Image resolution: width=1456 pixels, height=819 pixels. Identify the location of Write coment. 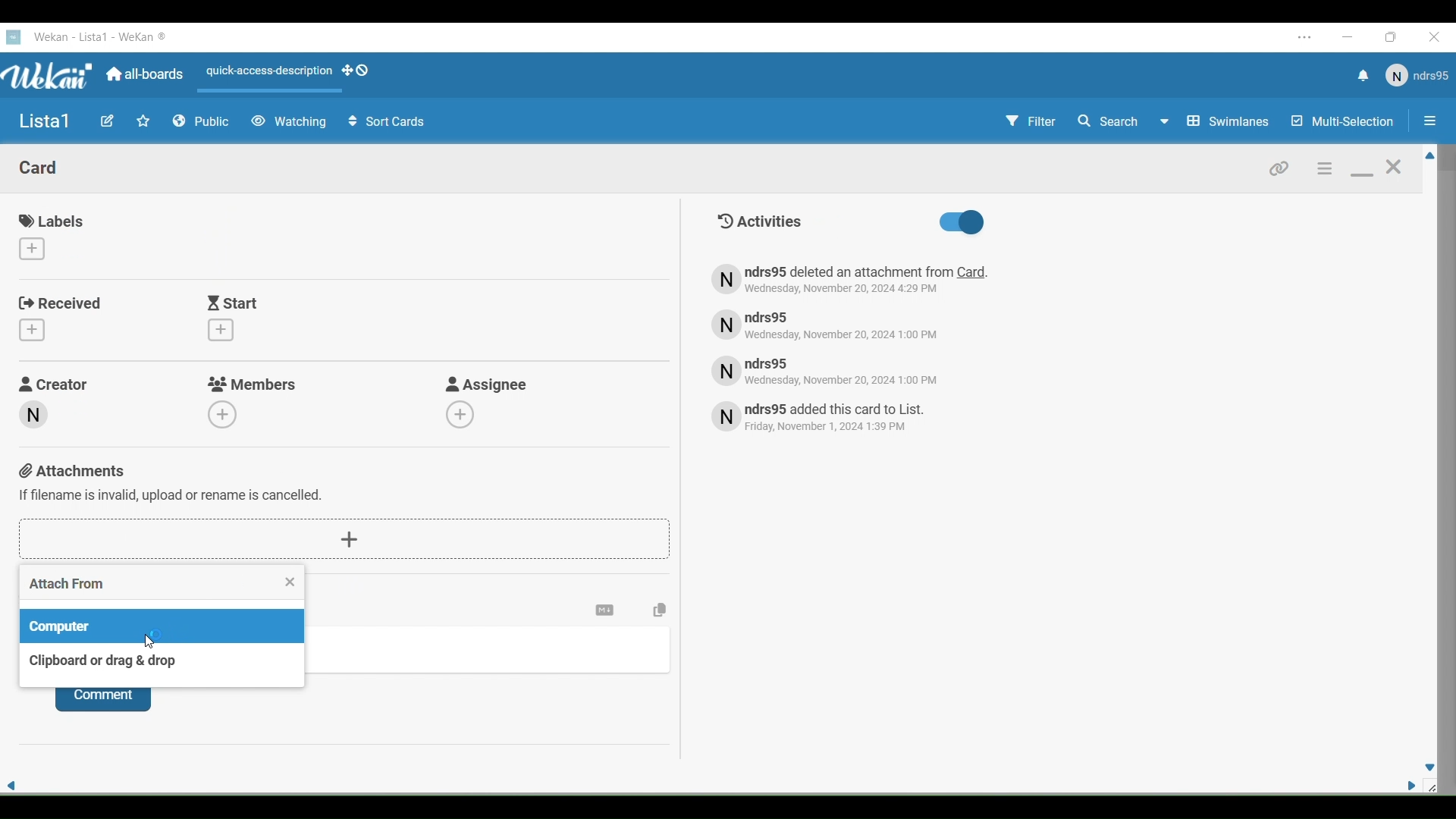
(493, 653).